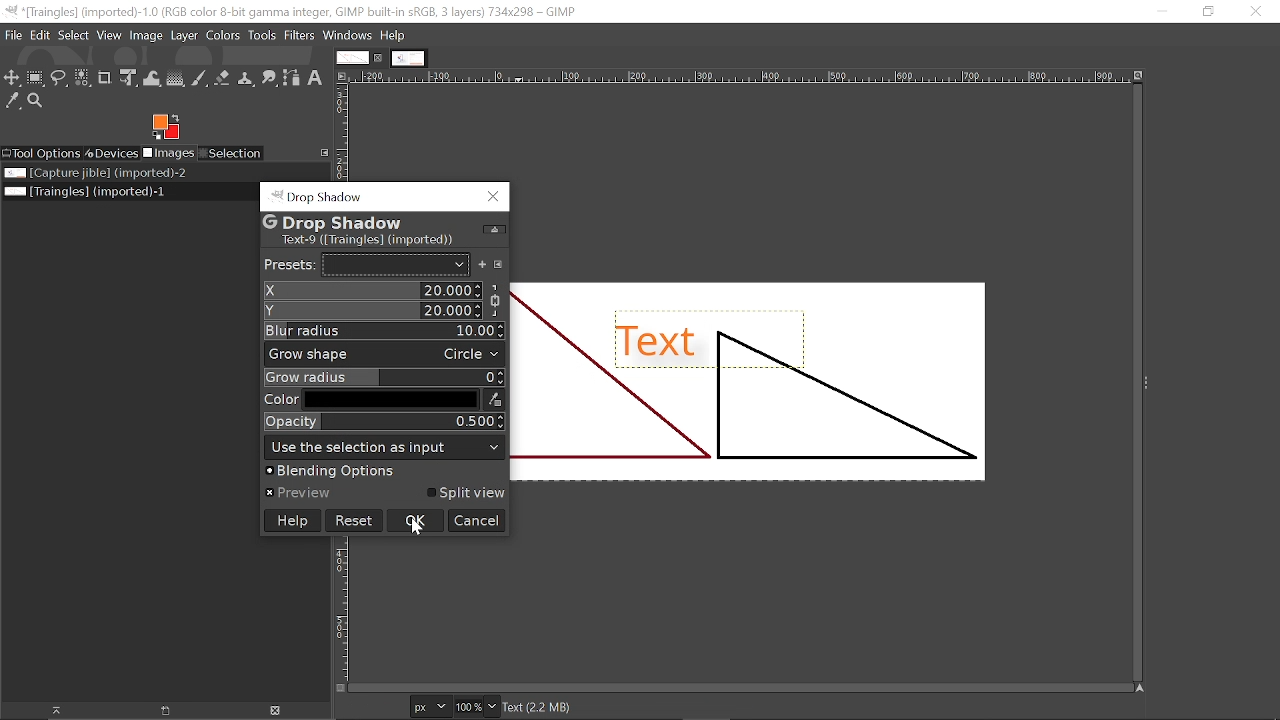 The height and width of the screenshot is (720, 1280). What do you see at coordinates (110, 37) in the screenshot?
I see `View` at bounding box center [110, 37].